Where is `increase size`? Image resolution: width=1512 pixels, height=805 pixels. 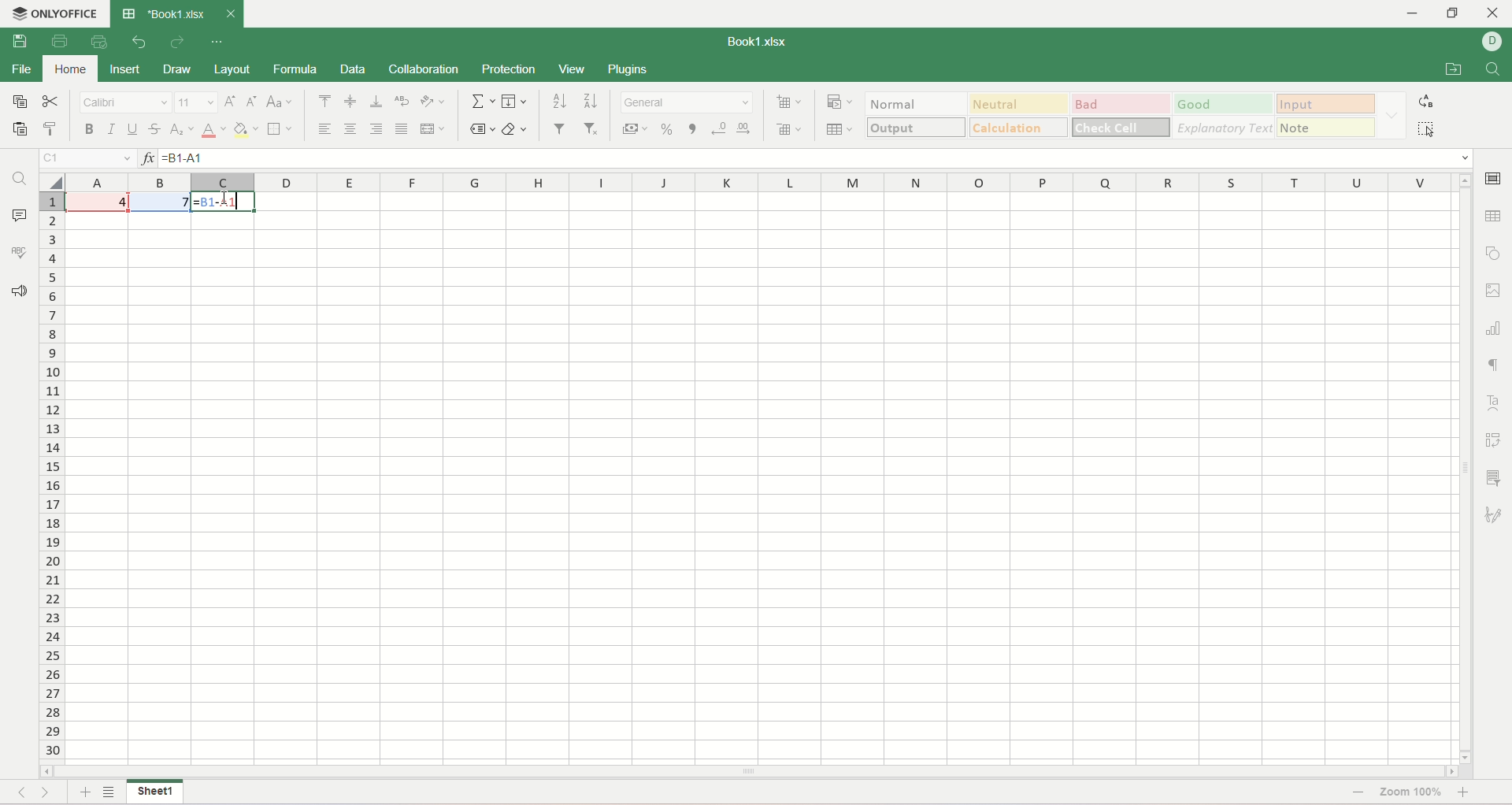 increase size is located at coordinates (232, 102).